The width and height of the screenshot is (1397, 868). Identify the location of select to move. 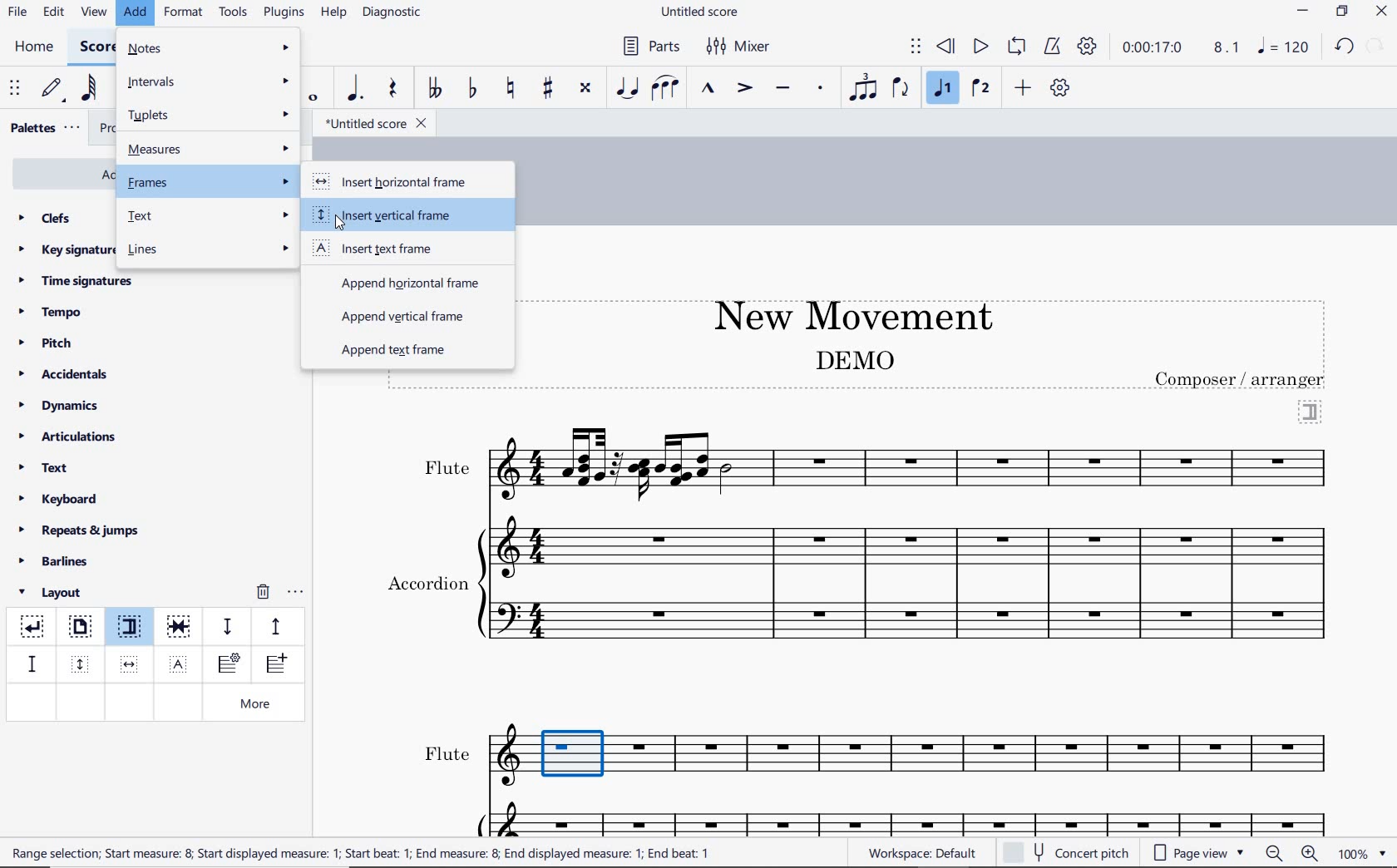
(916, 47).